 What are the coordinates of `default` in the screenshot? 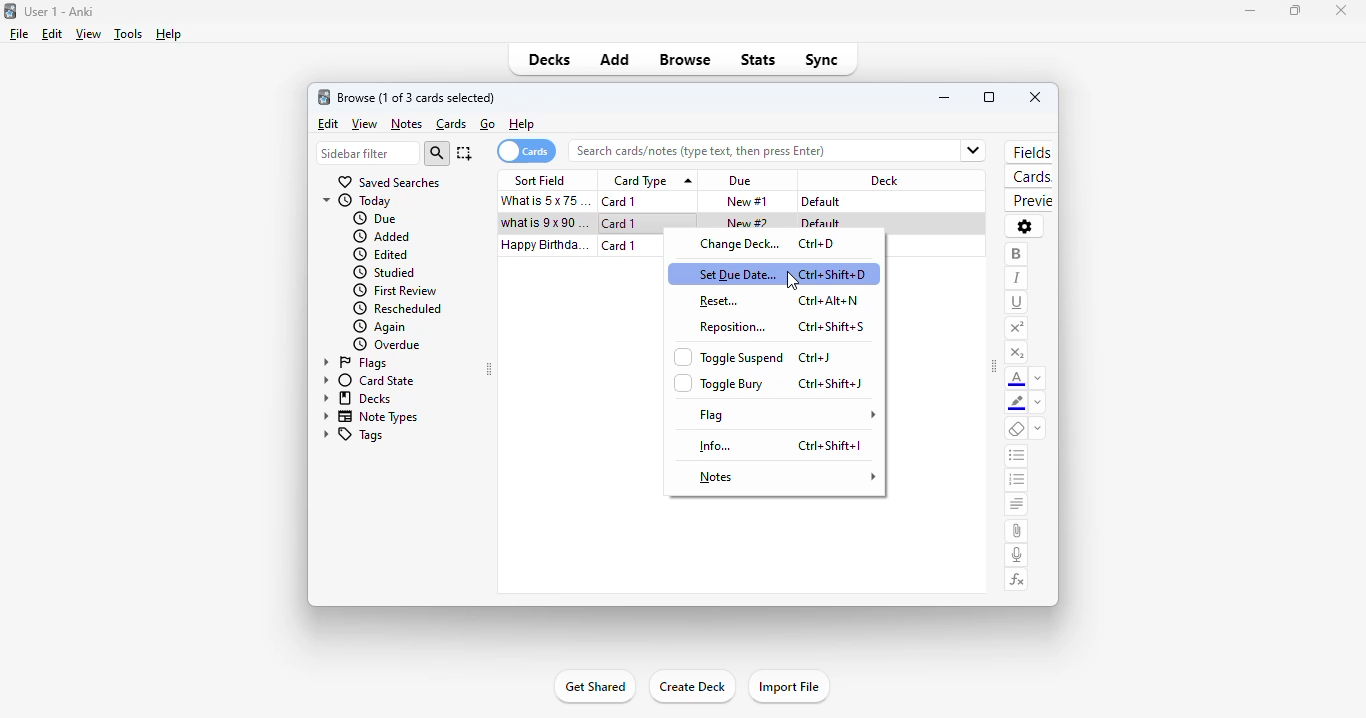 It's located at (820, 223).